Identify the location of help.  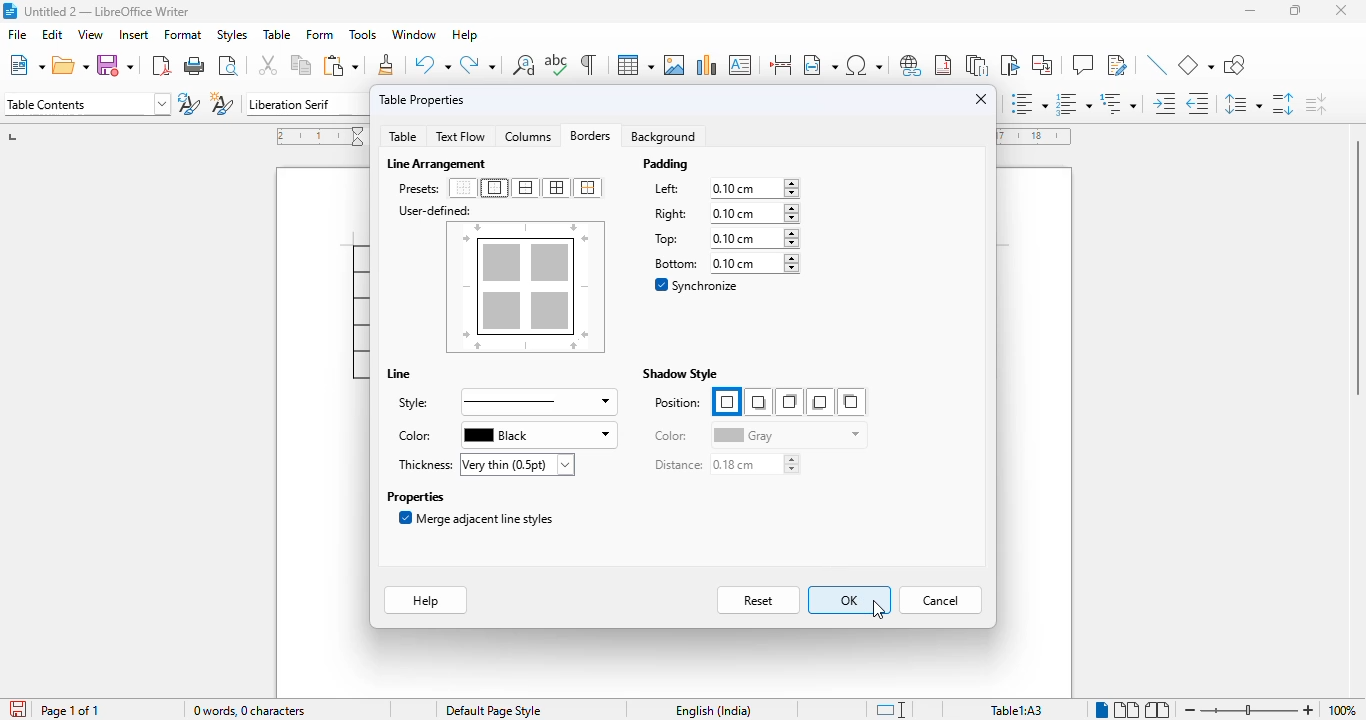
(464, 35).